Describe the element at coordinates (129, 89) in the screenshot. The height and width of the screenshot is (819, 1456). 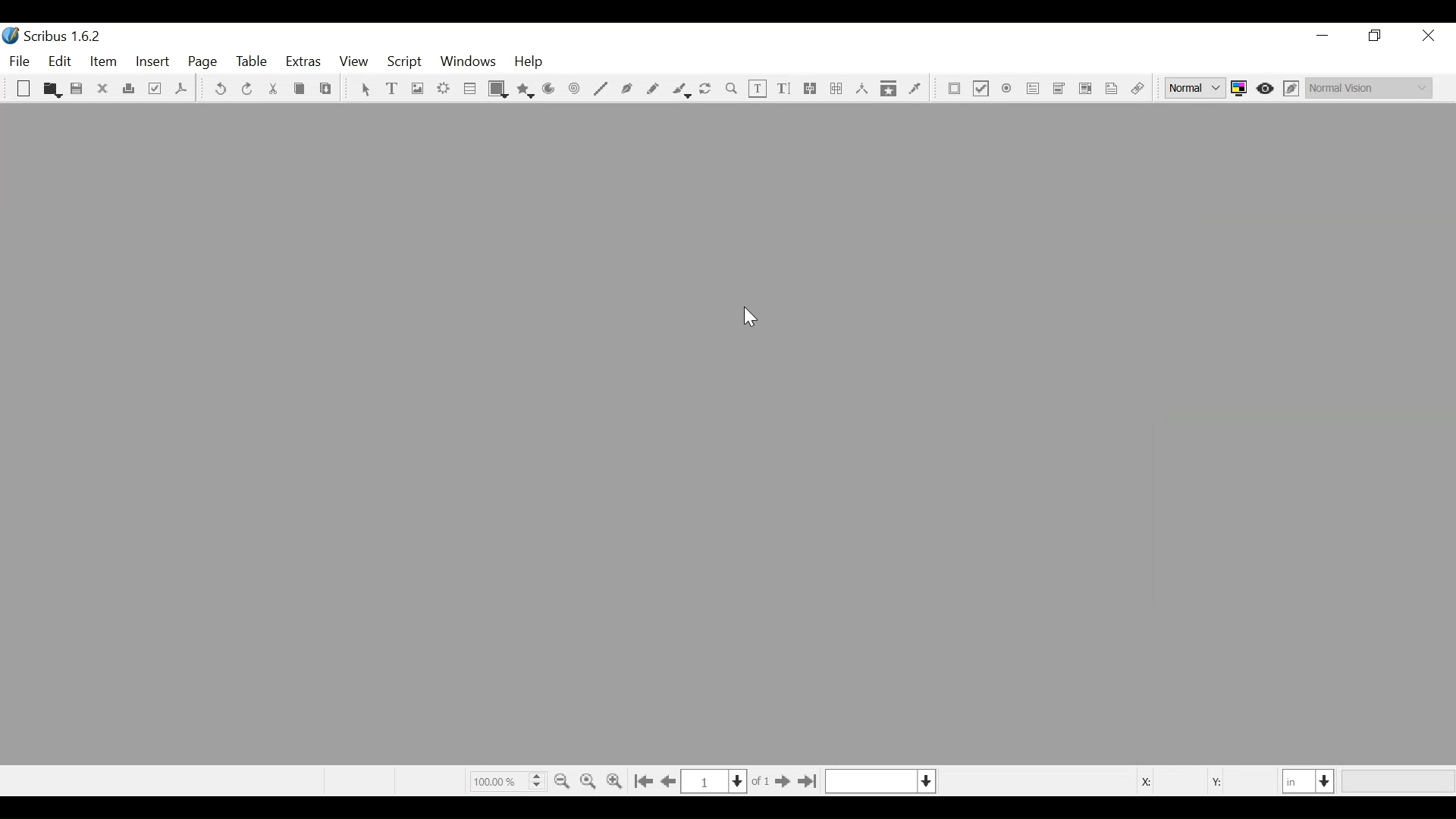
I see `Print` at that location.